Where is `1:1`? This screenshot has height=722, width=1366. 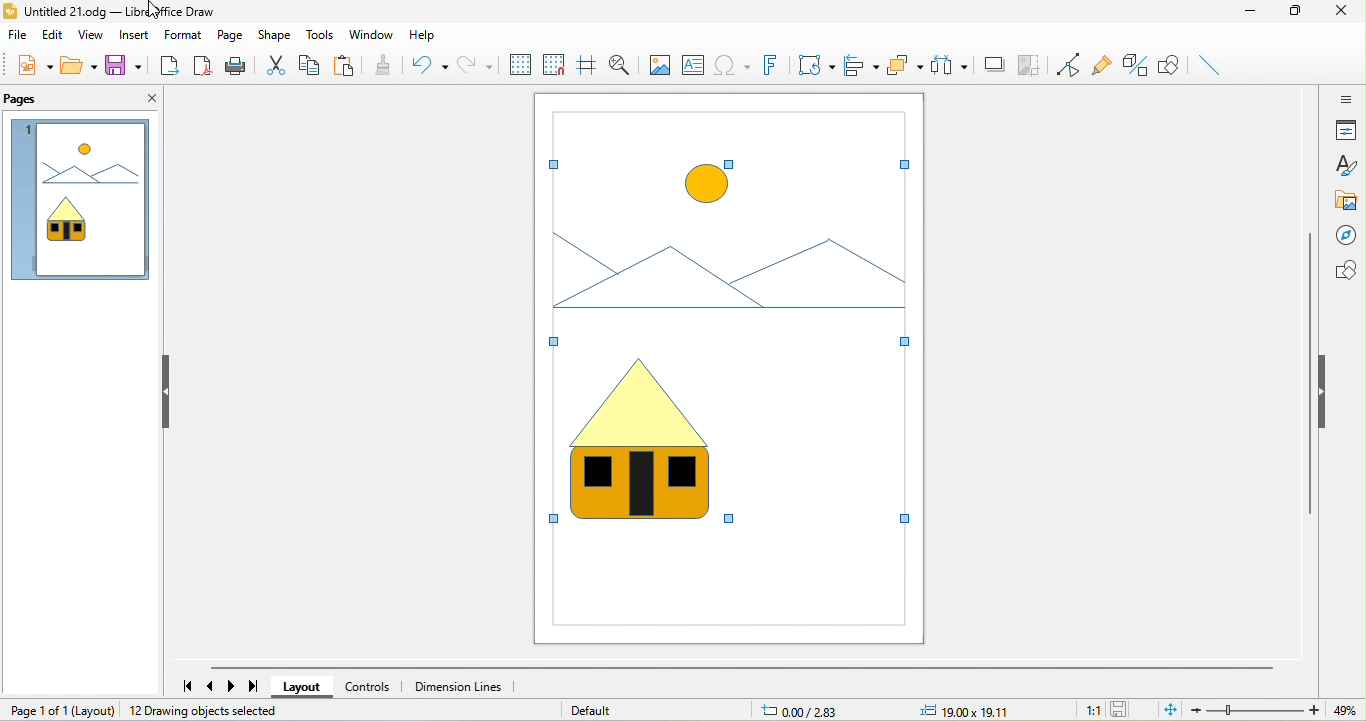 1:1 is located at coordinates (1087, 710).